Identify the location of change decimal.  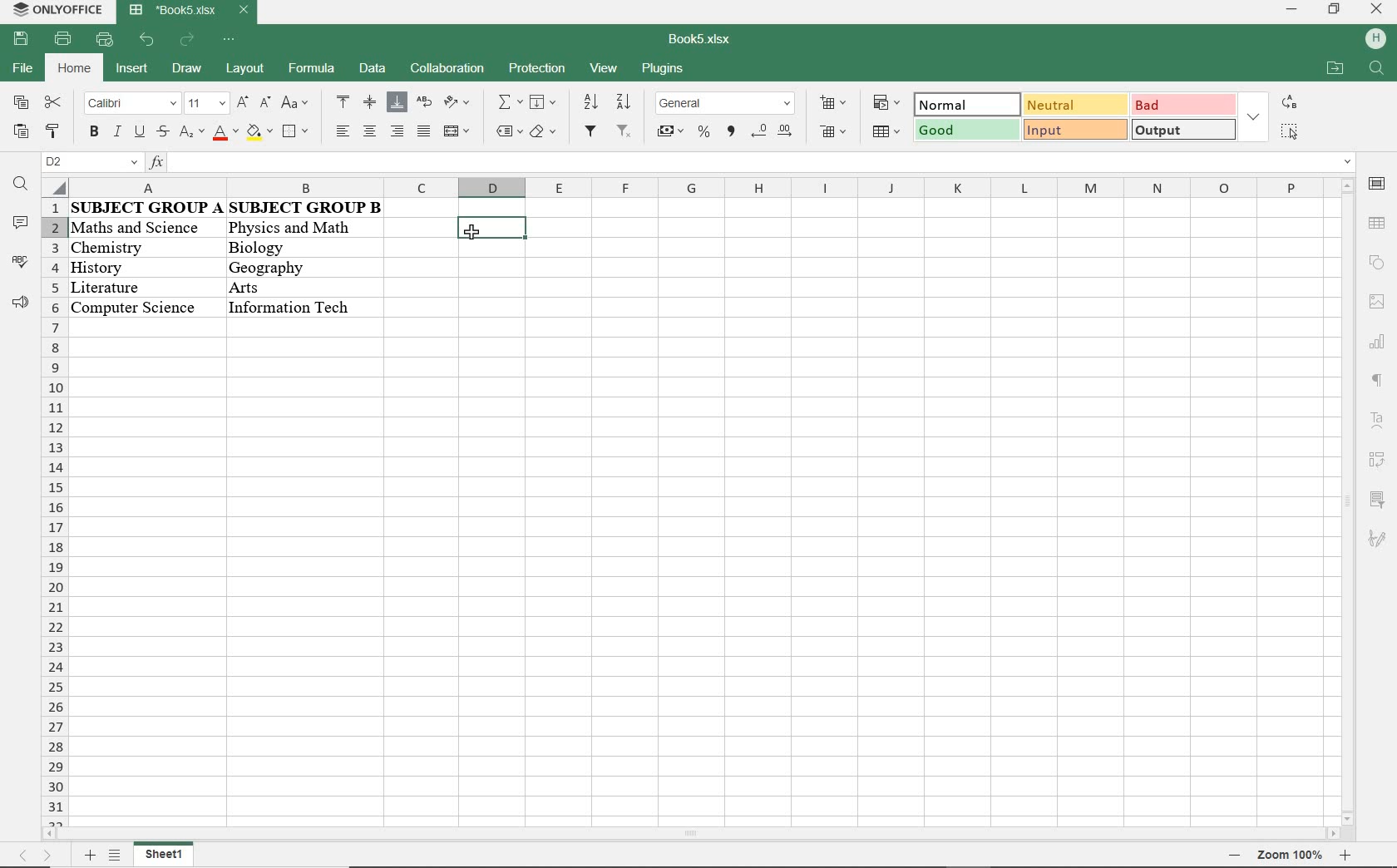
(771, 131).